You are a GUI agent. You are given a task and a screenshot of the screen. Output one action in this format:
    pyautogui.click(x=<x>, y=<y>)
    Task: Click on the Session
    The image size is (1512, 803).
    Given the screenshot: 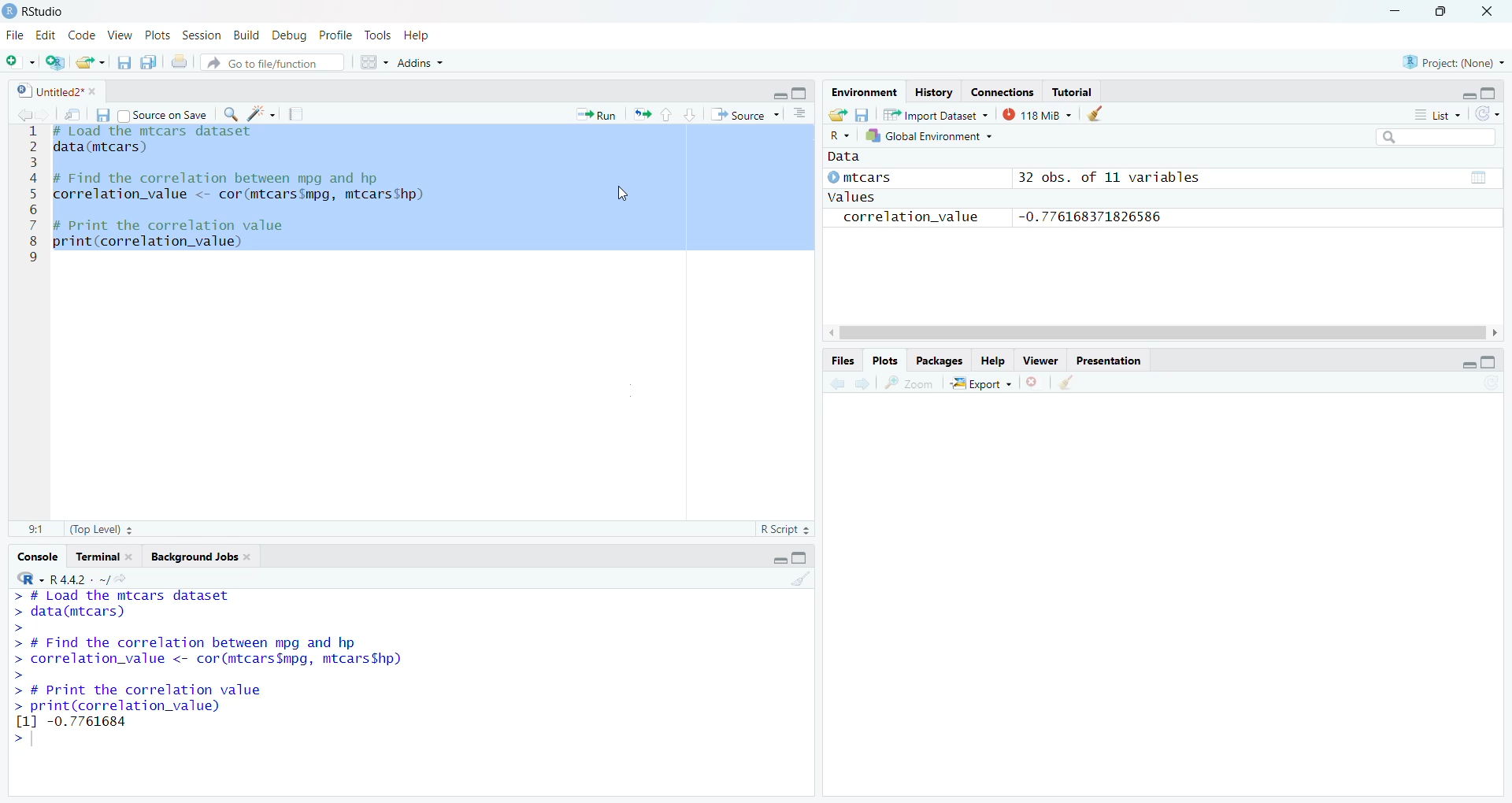 What is the action you would take?
    pyautogui.click(x=201, y=35)
    